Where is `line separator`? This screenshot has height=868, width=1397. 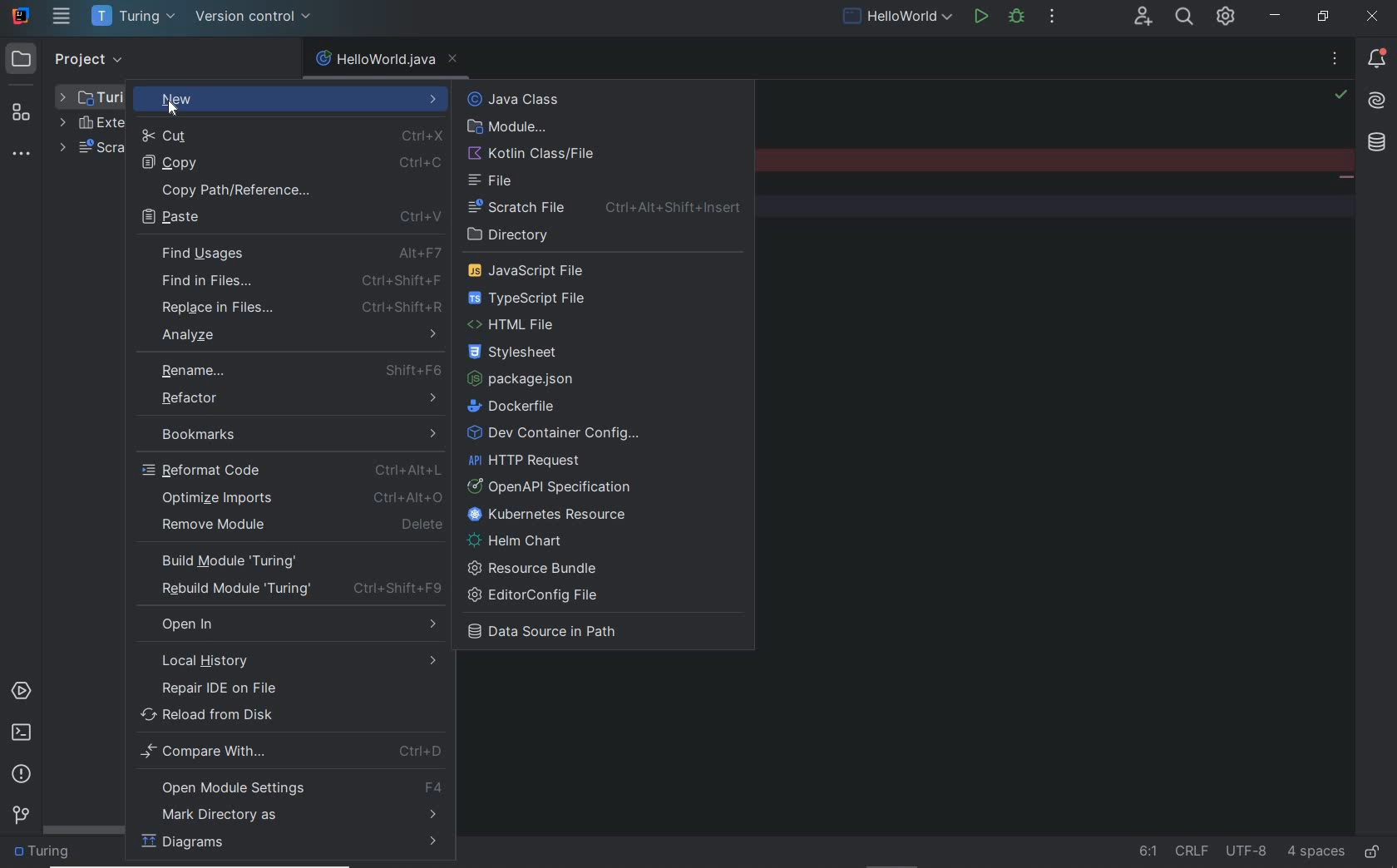
line separator is located at coordinates (1193, 851).